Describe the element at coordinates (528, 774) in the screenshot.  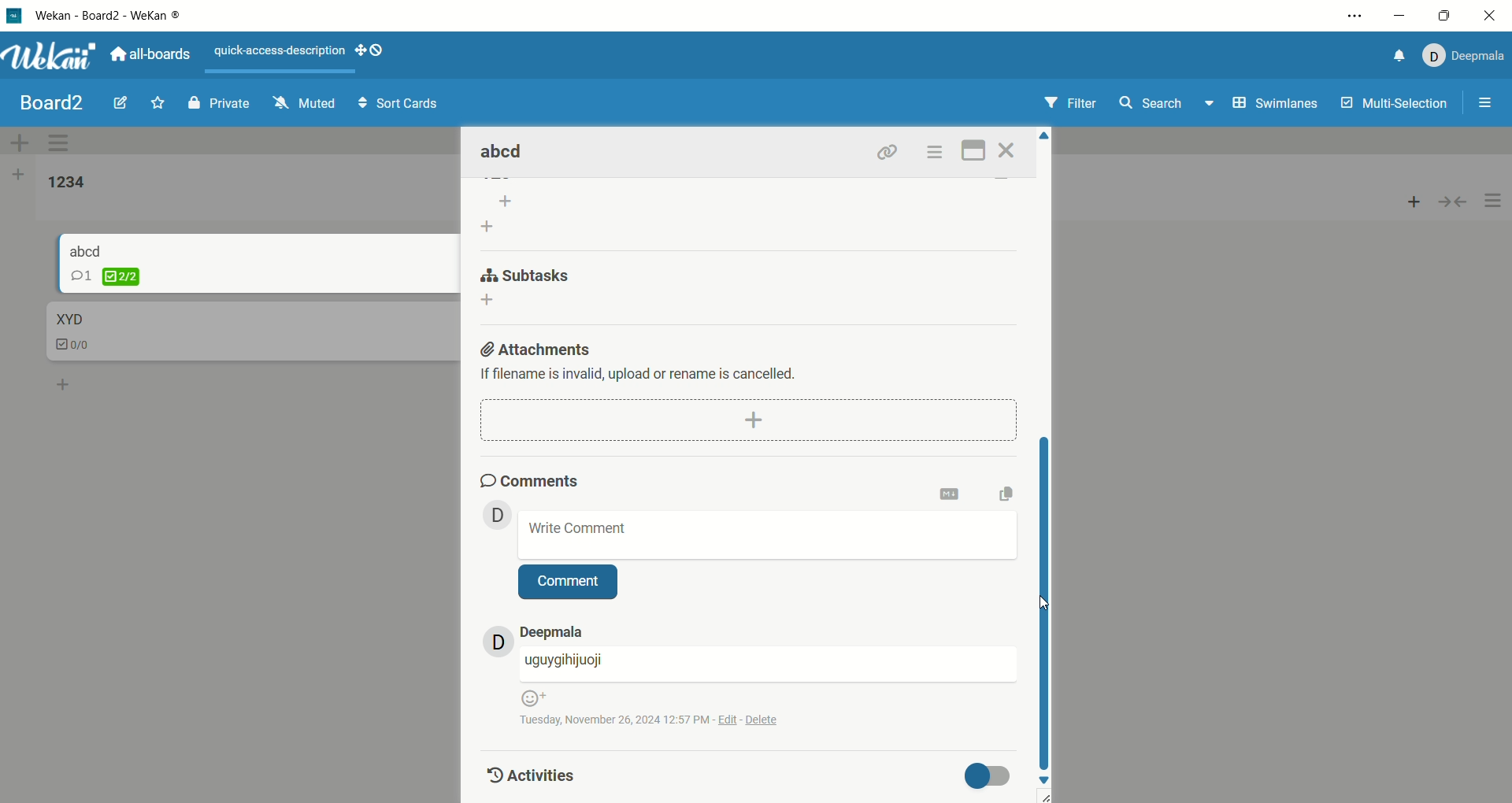
I see `activities` at that location.